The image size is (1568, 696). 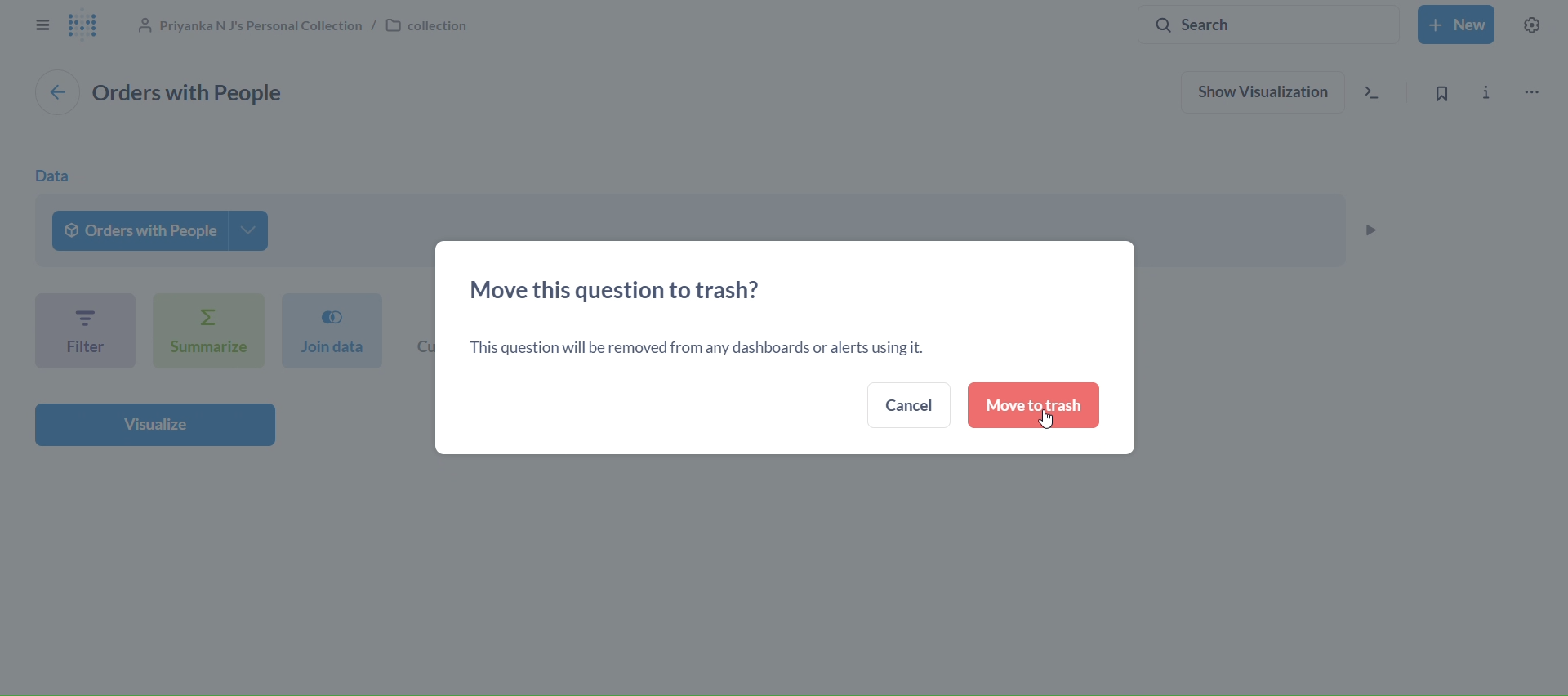 What do you see at coordinates (1459, 24) in the screenshot?
I see `New` at bounding box center [1459, 24].